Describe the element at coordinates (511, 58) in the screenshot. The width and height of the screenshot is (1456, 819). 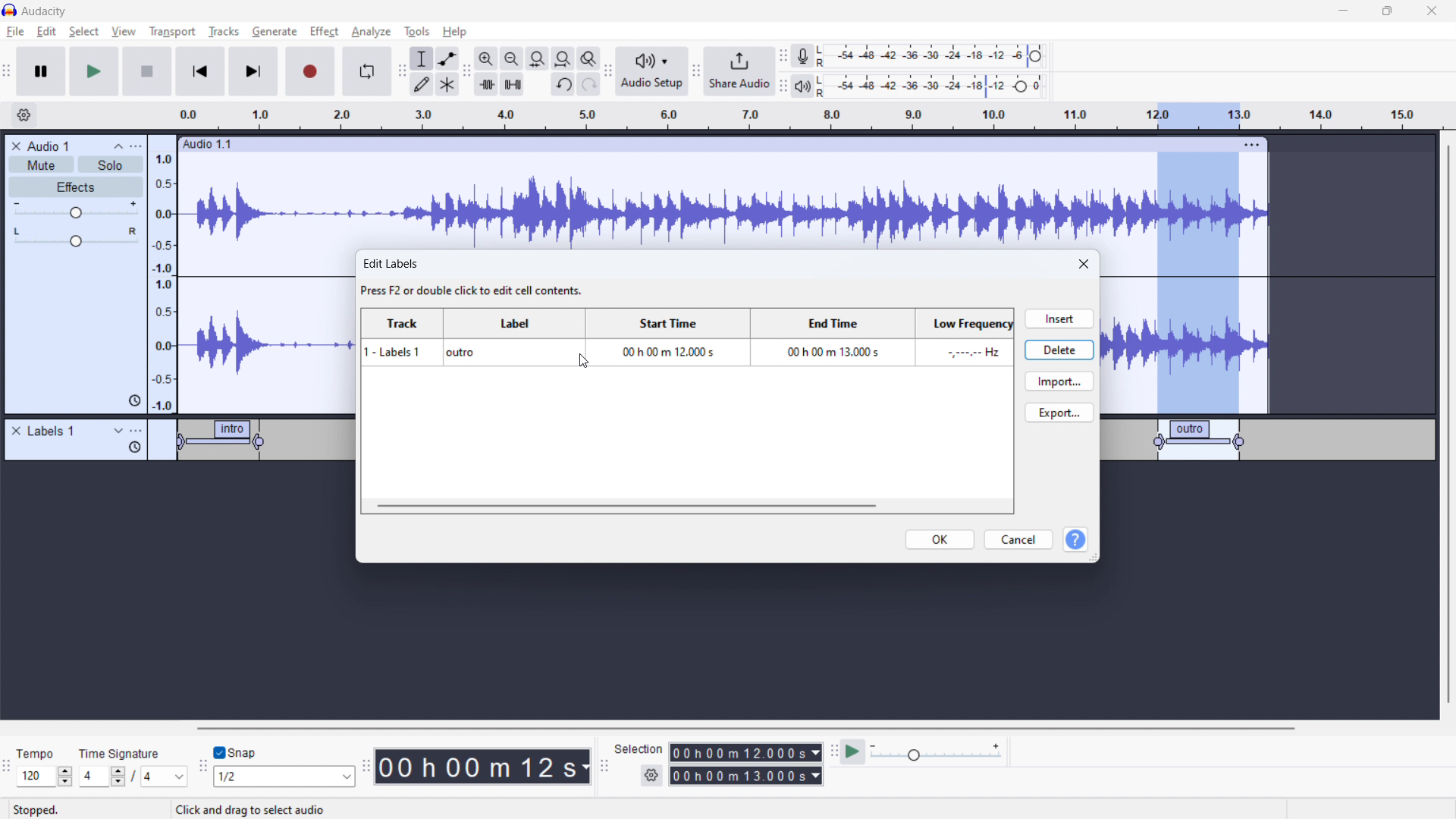
I see `zoom out` at that location.